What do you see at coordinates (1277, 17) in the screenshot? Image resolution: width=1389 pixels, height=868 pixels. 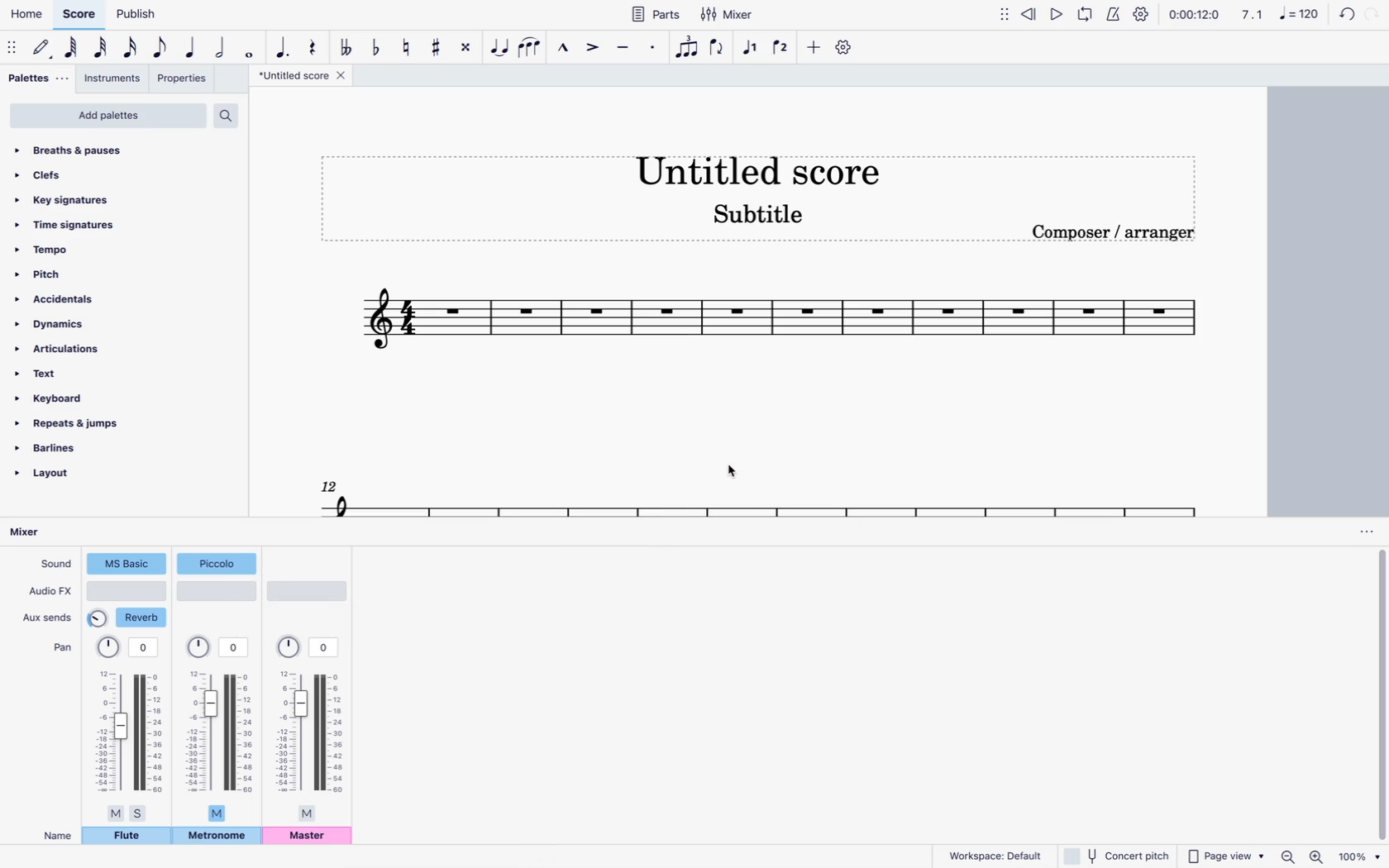 I see `scale` at bounding box center [1277, 17].